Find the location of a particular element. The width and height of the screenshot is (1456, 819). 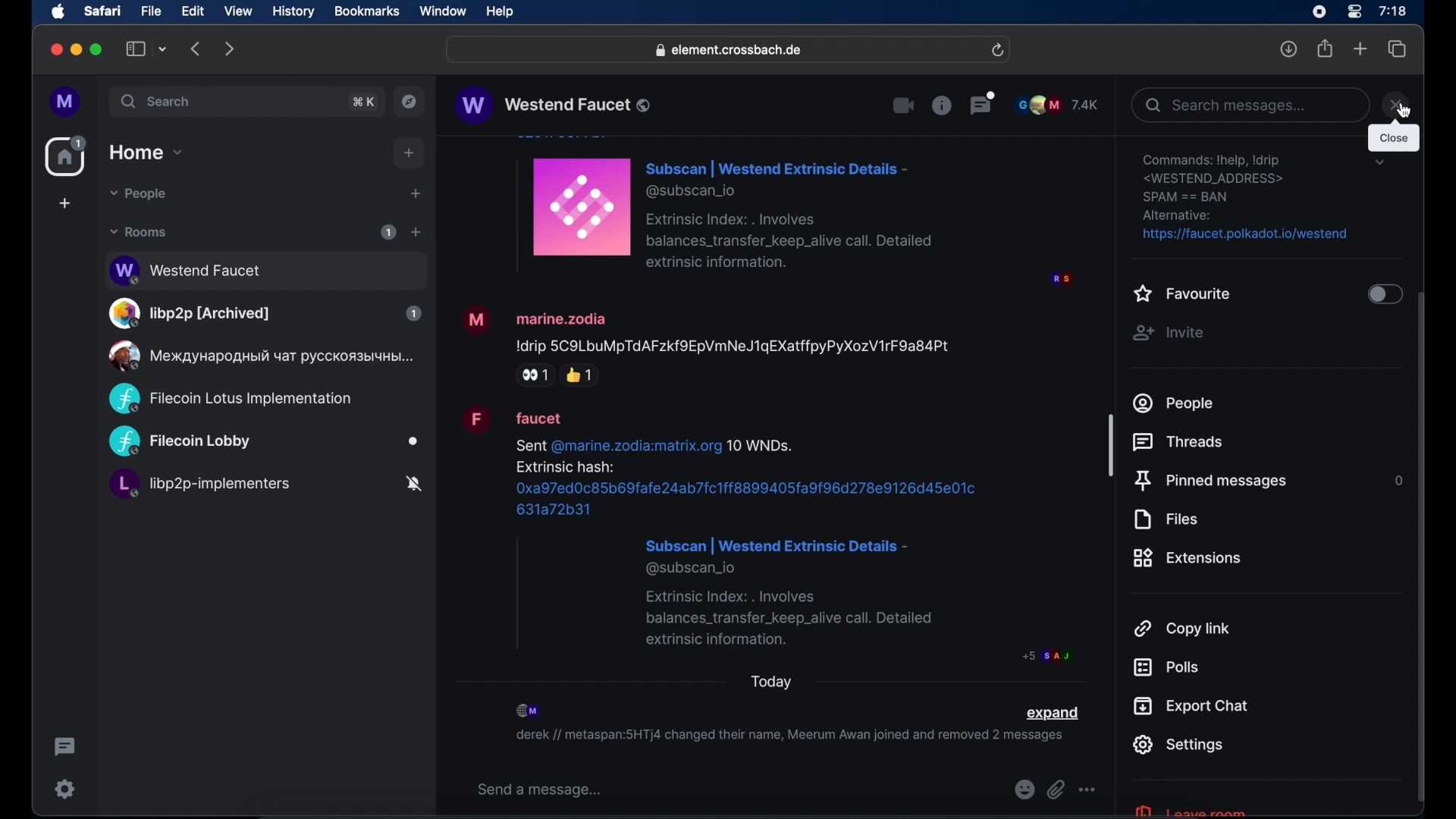

expand is located at coordinates (1052, 714).